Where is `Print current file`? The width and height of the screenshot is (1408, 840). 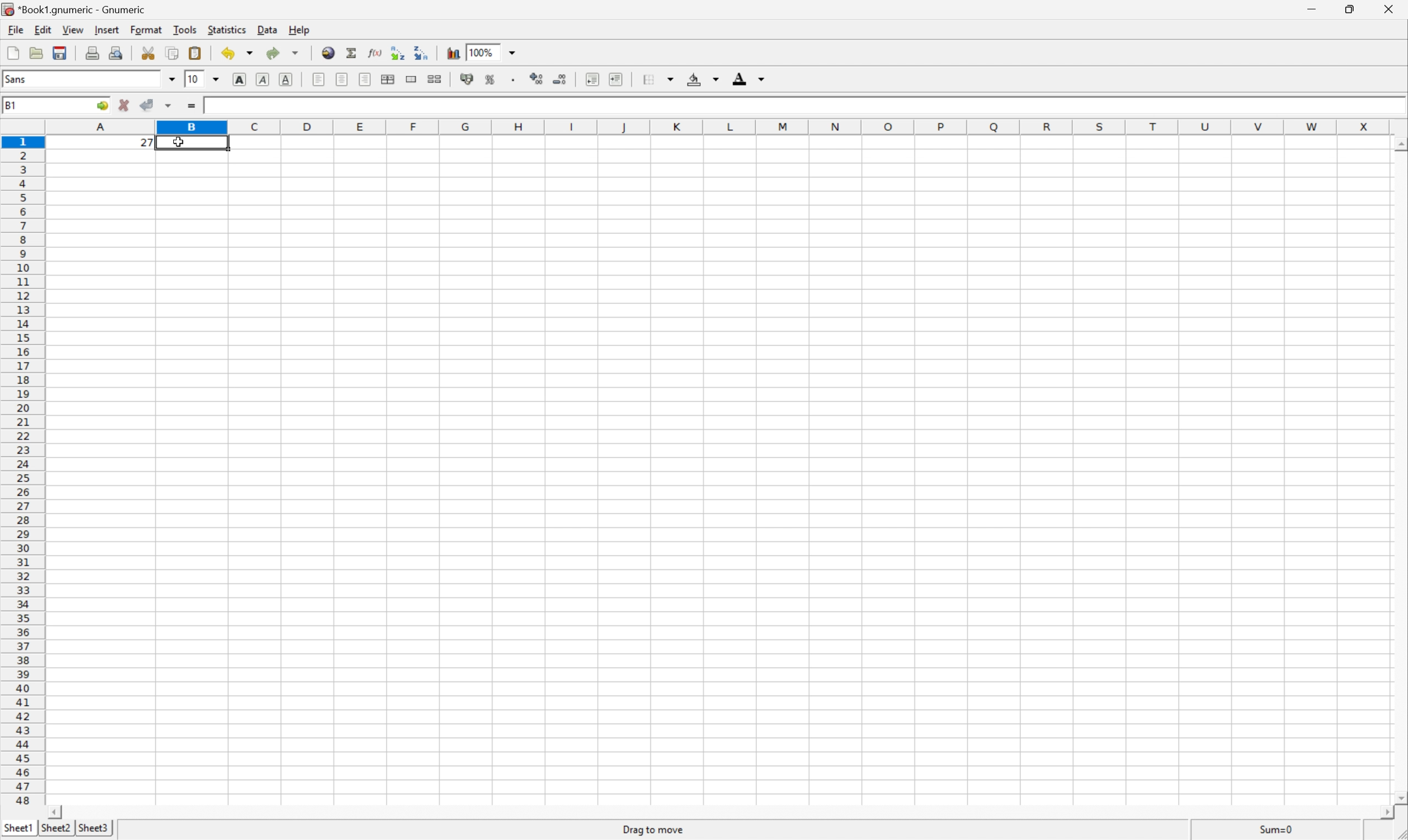 Print current file is located at coordinates (95, 52).